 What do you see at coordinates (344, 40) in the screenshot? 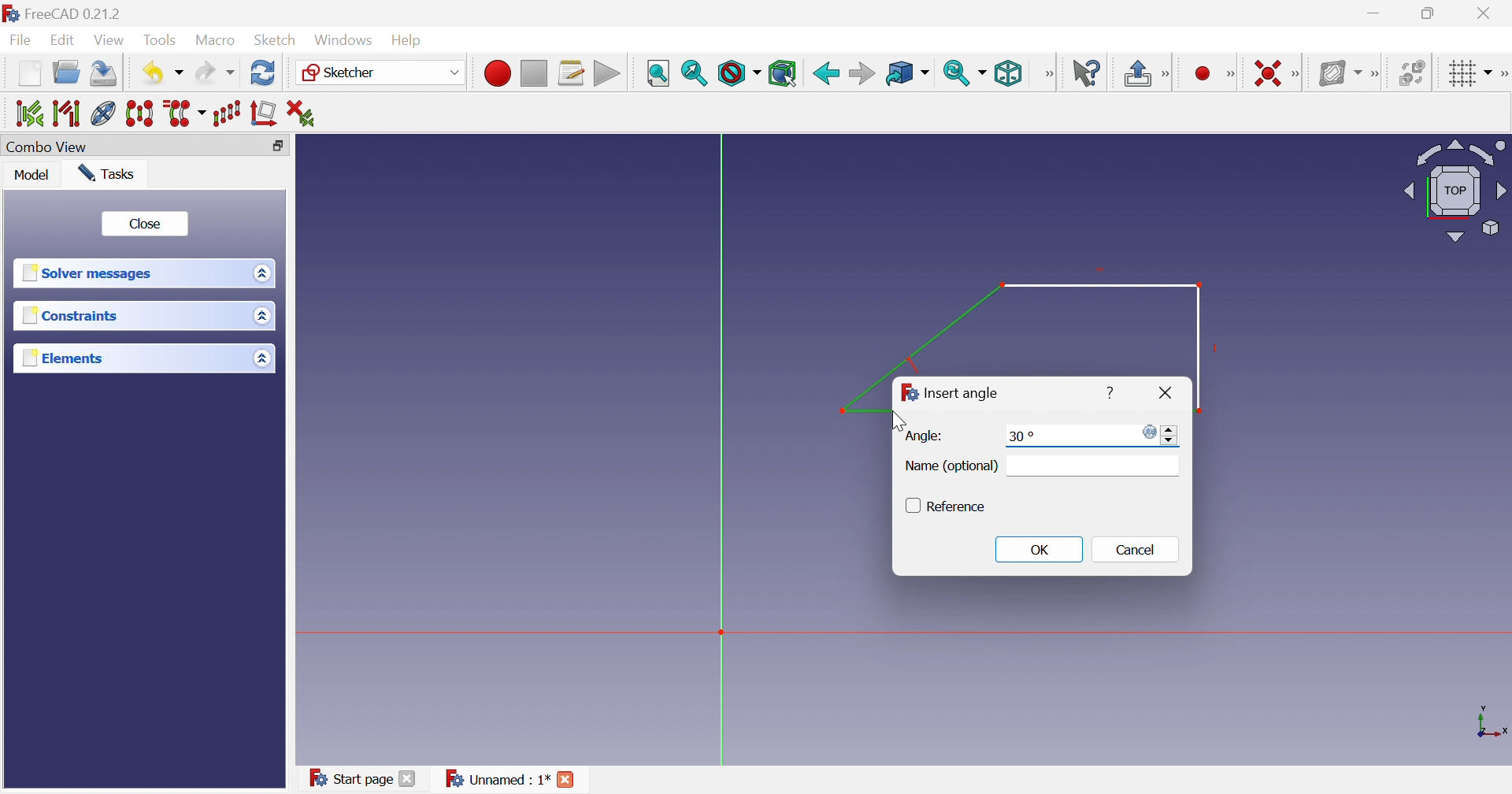
I see `Windows` at bounding box center [344, 40].